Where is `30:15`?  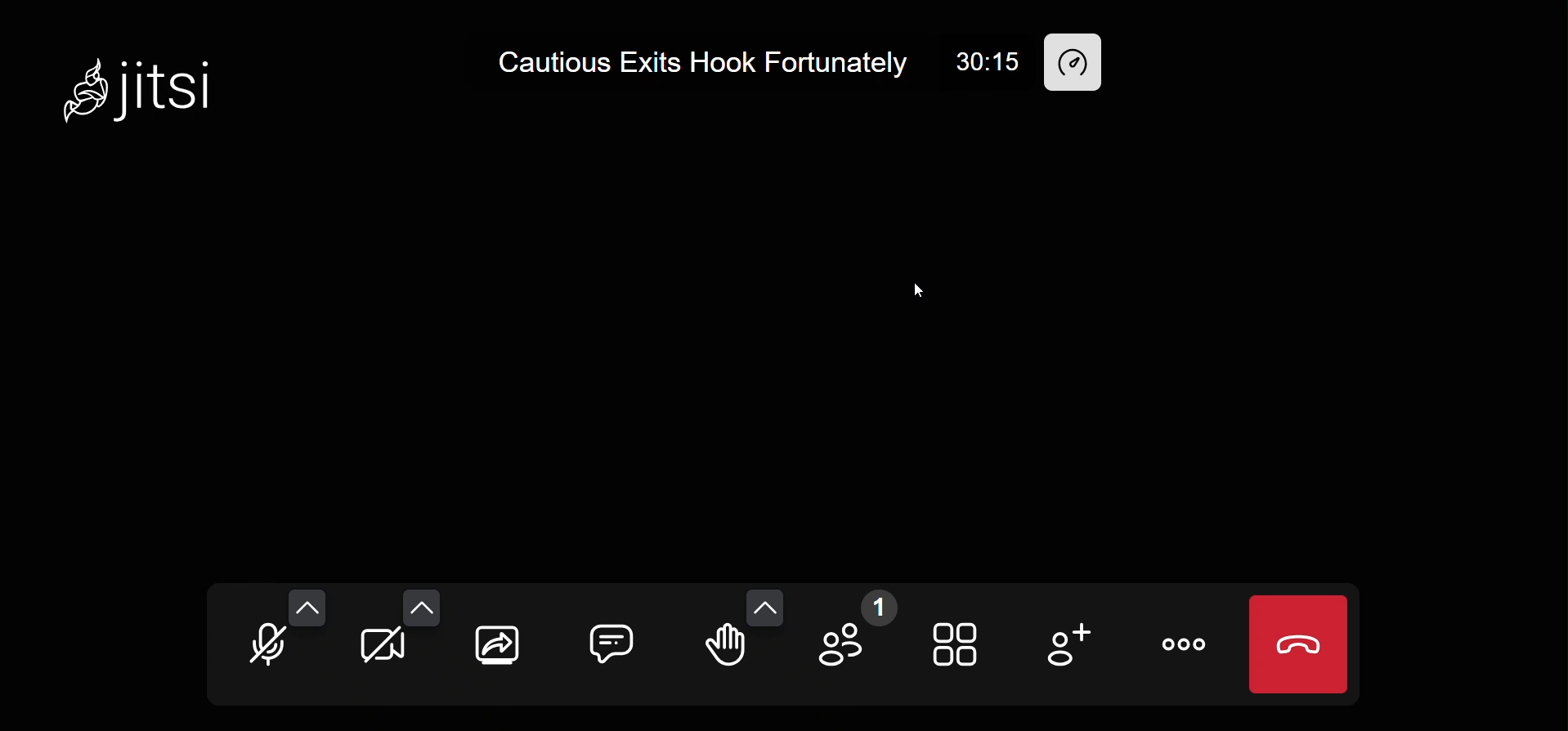
30:15 is located at coordinates (987, 62).